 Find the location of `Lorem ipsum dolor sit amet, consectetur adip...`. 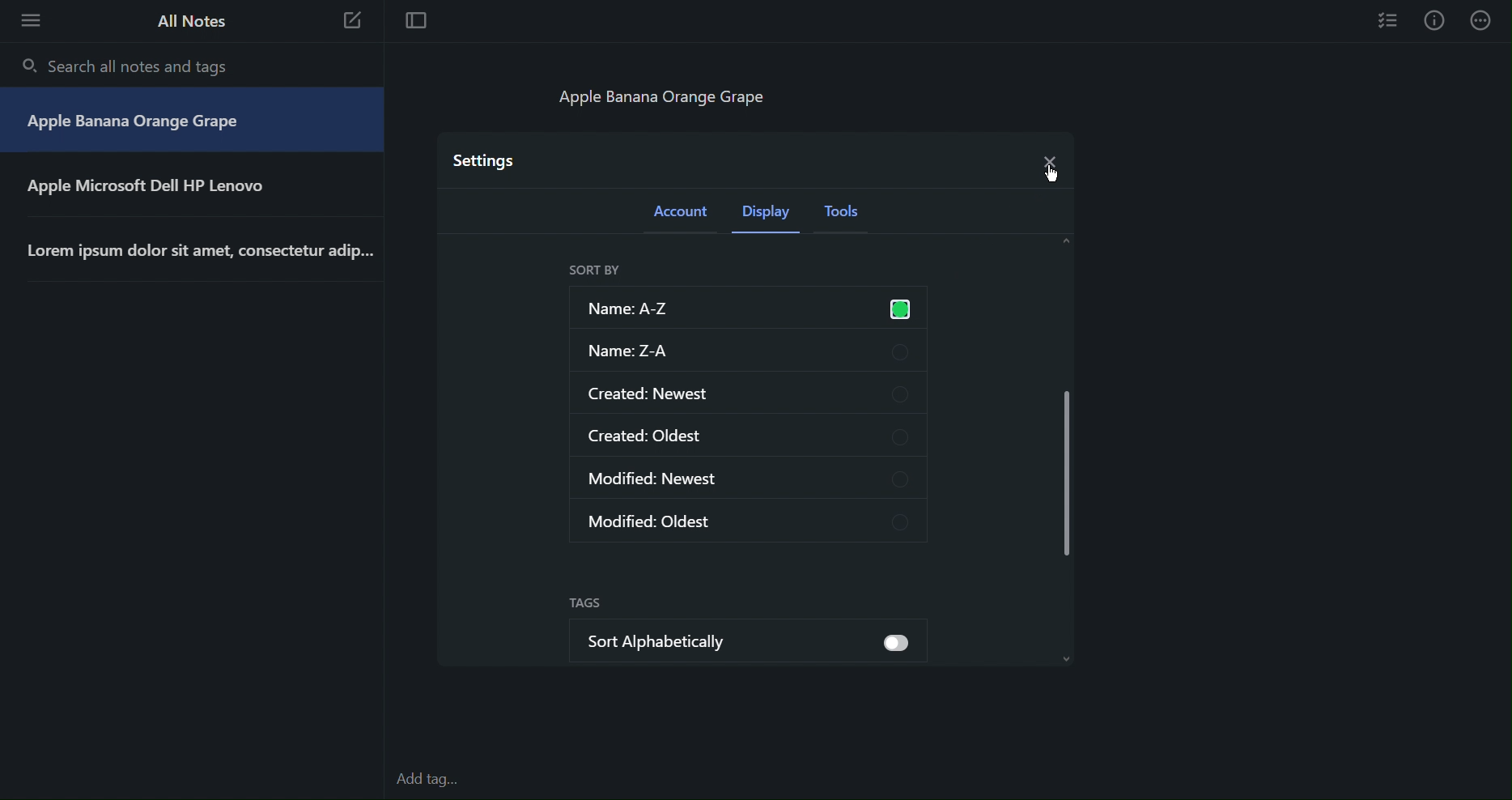

Lorem ipsum dolor sit amet, consectetur adip... is located at coordinates (205, 252).